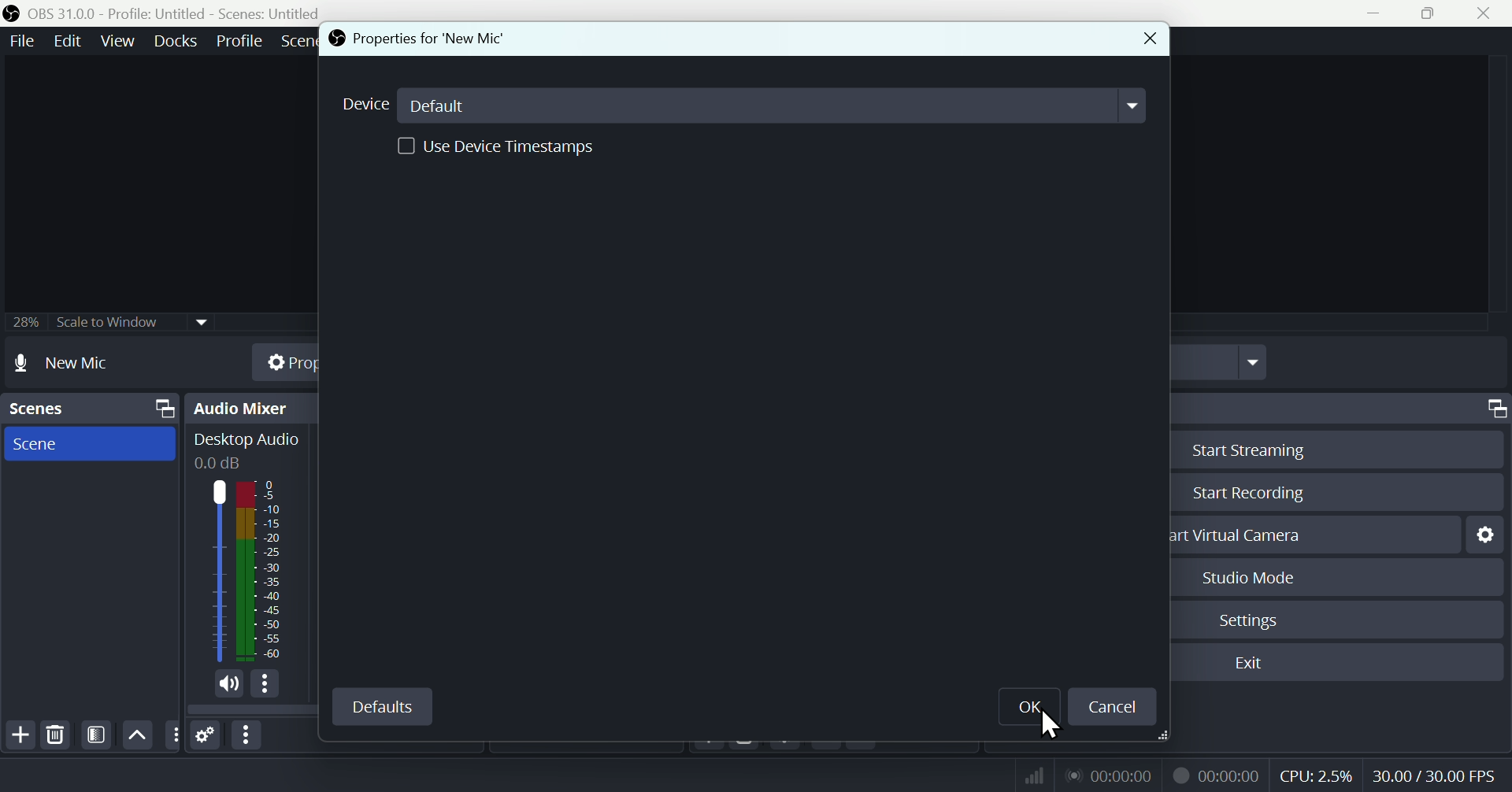  I want to click on (un)check Use device timestamps, so click(495, 145).